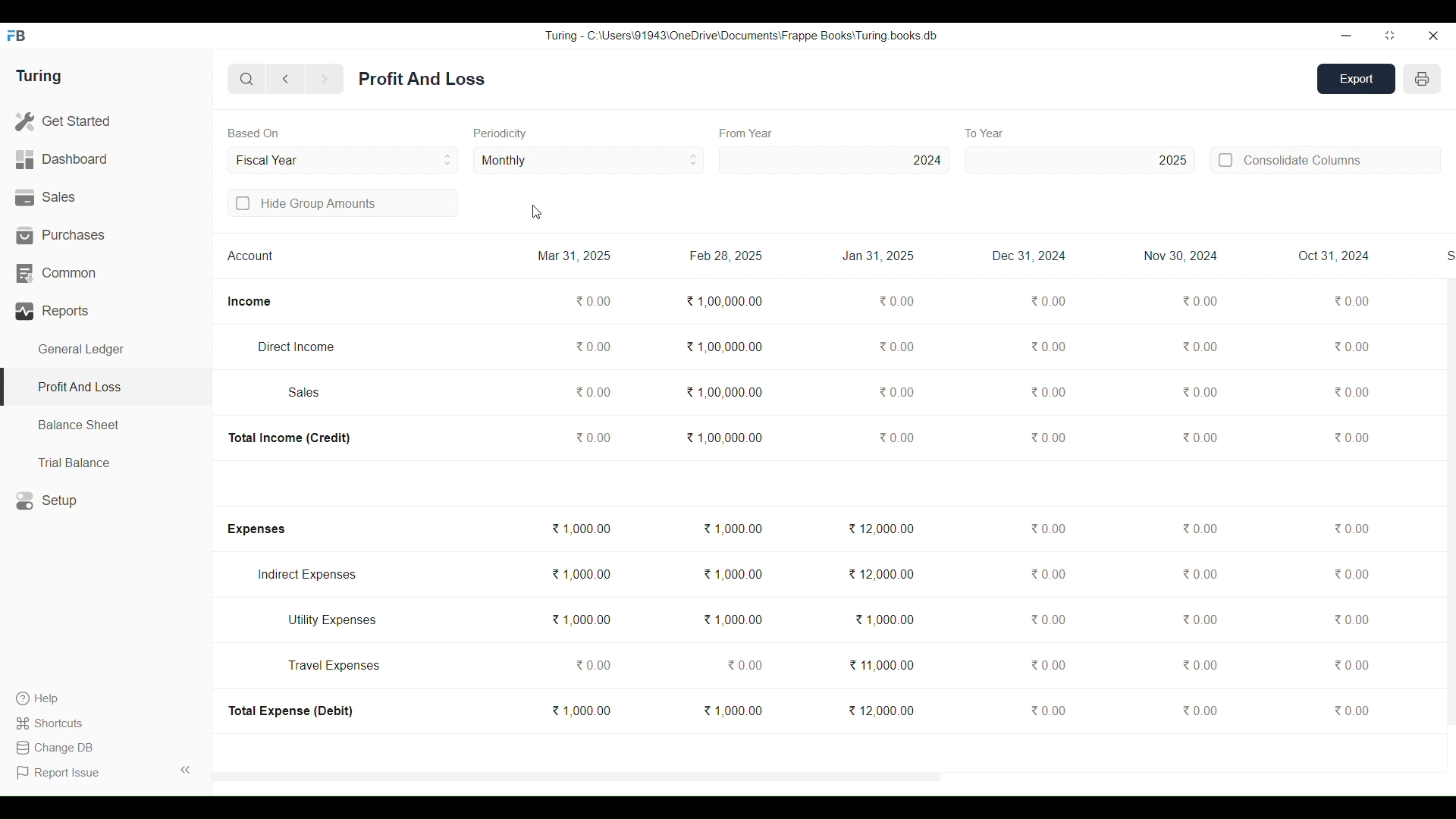 This screenshot has width=1456, height=819. Describe the element at coordinates (1029, 256) in the screenshot. I see `Dec 31, 2024` at that location.